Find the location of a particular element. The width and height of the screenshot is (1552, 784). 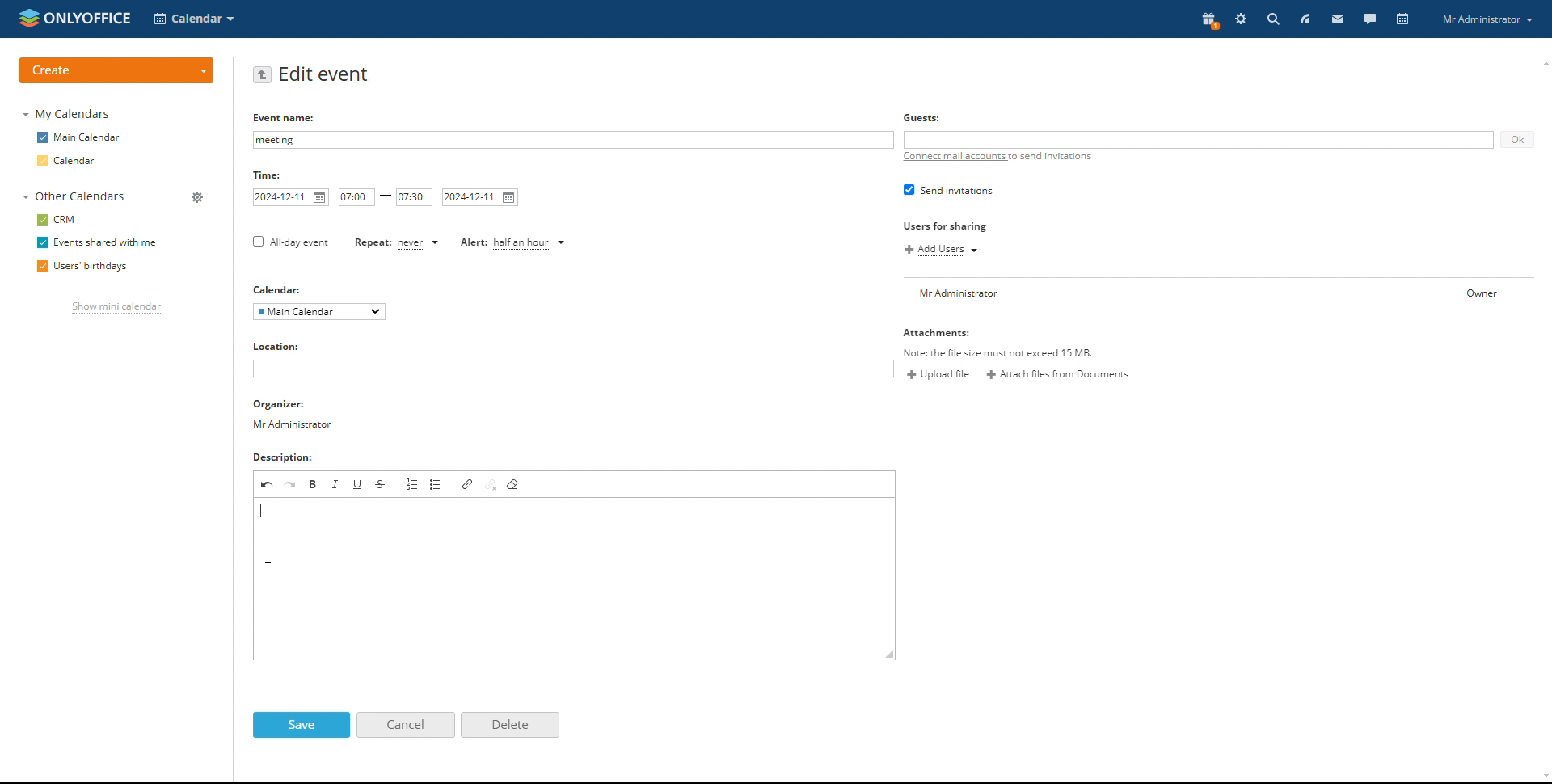

Event name: is located at coordinates (286, 117).